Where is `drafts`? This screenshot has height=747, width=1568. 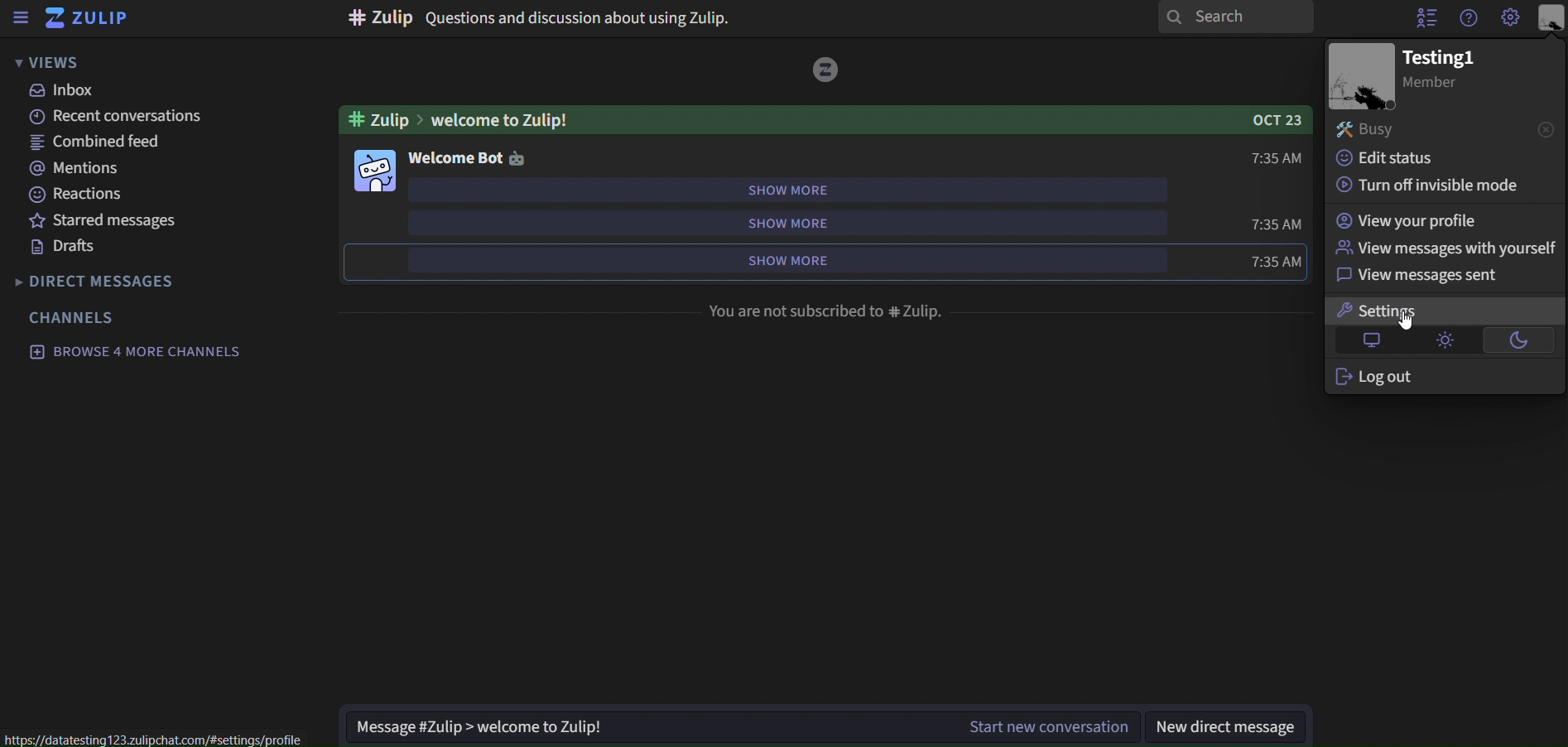 drafts is located at coordinates (64, 247).